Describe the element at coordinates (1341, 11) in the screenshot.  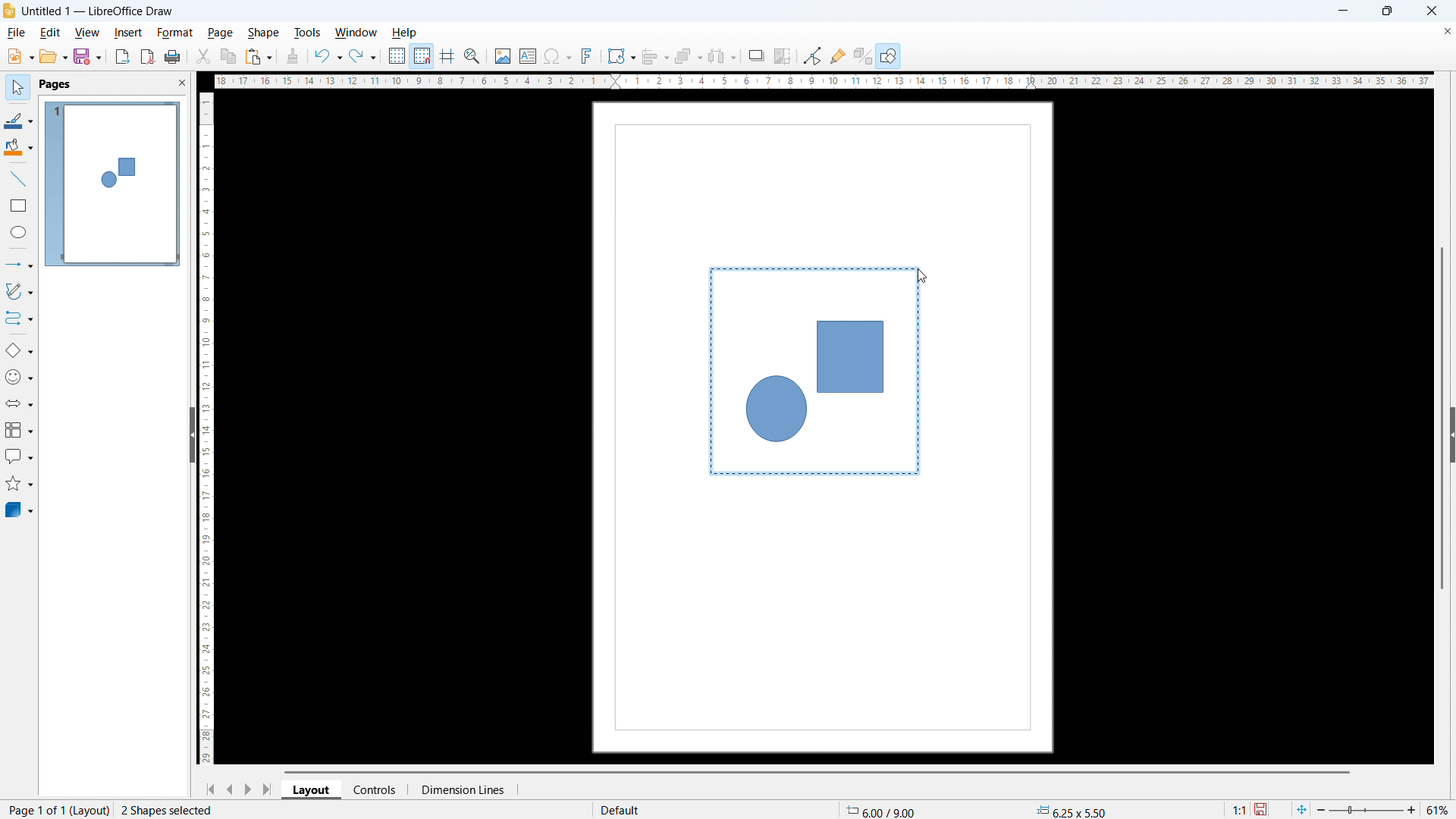
I see `minimize` at that location.